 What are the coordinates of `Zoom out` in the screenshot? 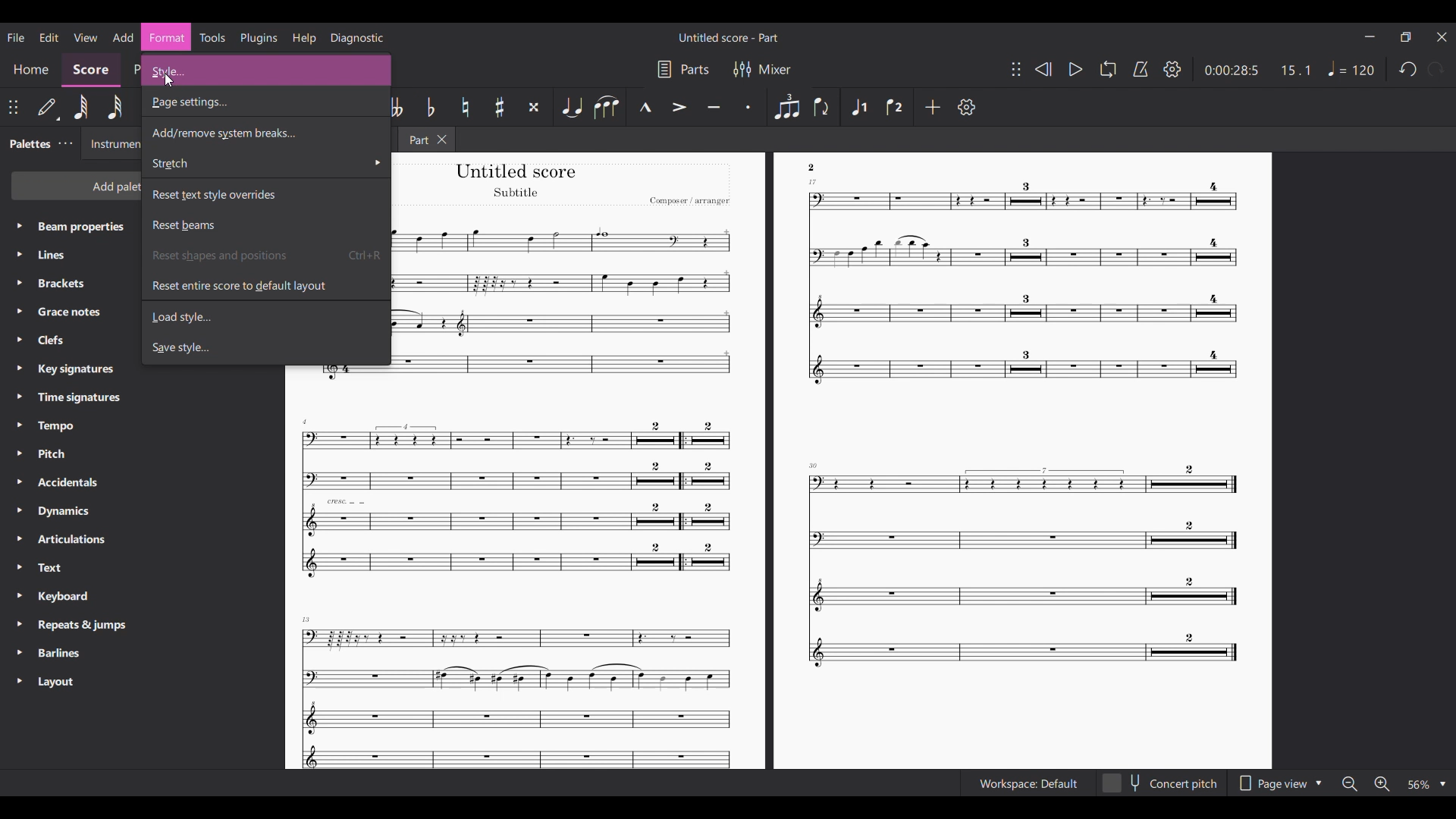 It's located at (1350, 784).